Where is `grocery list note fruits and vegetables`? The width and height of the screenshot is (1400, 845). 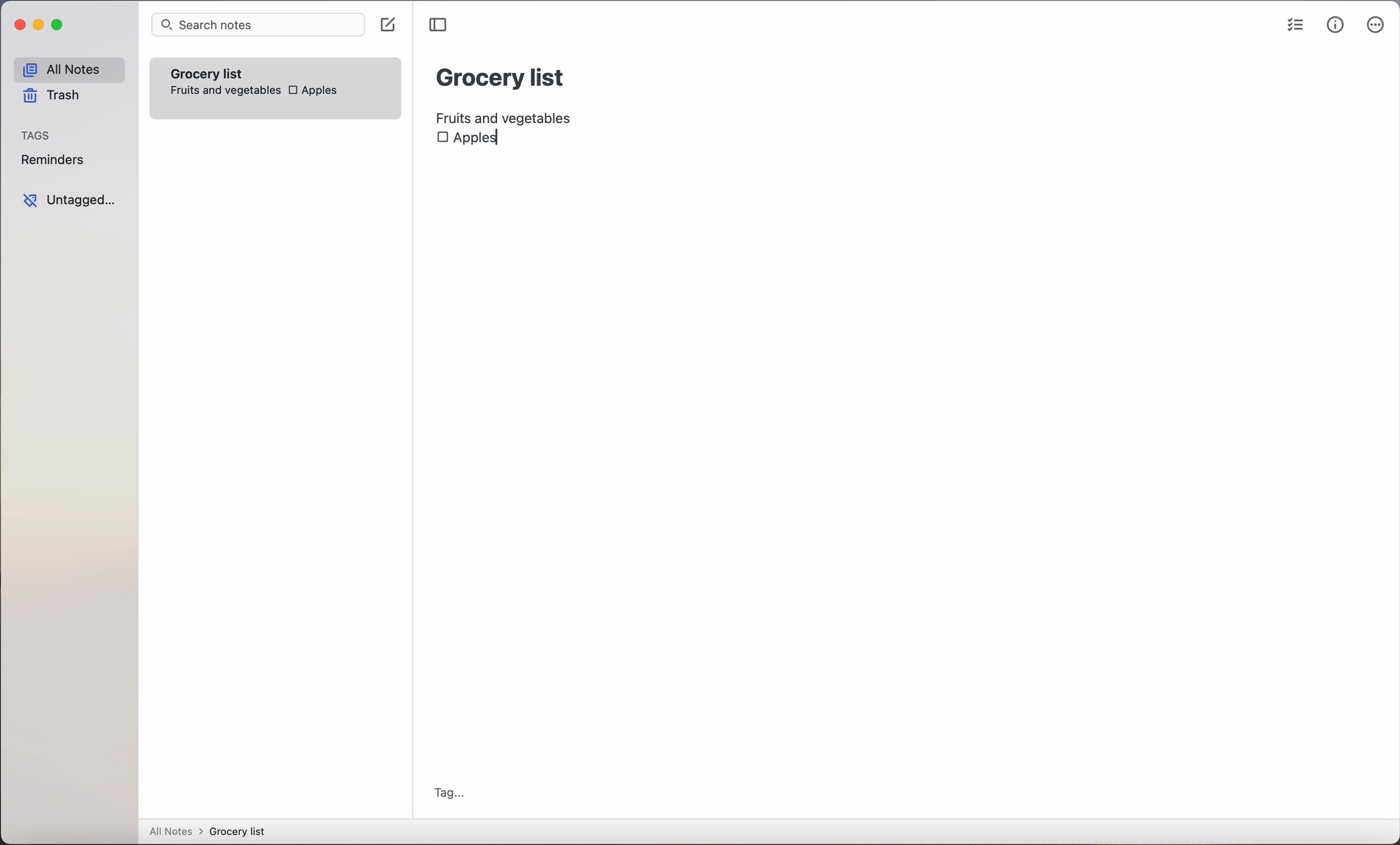
grocery list note fruits and vegetables is located at coordinates (222, 79).